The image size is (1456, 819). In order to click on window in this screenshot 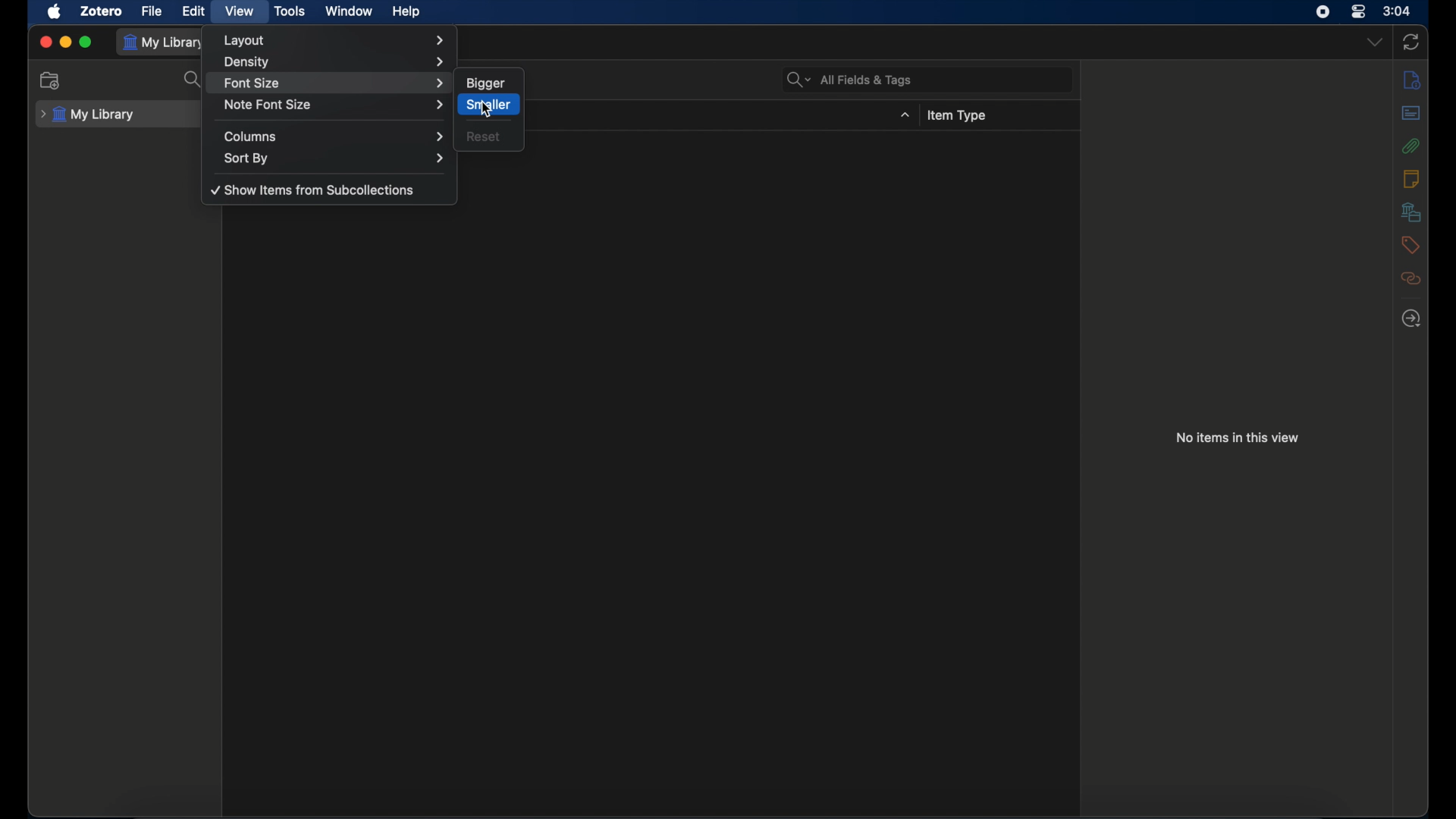, I will do `click(350, 11)`.